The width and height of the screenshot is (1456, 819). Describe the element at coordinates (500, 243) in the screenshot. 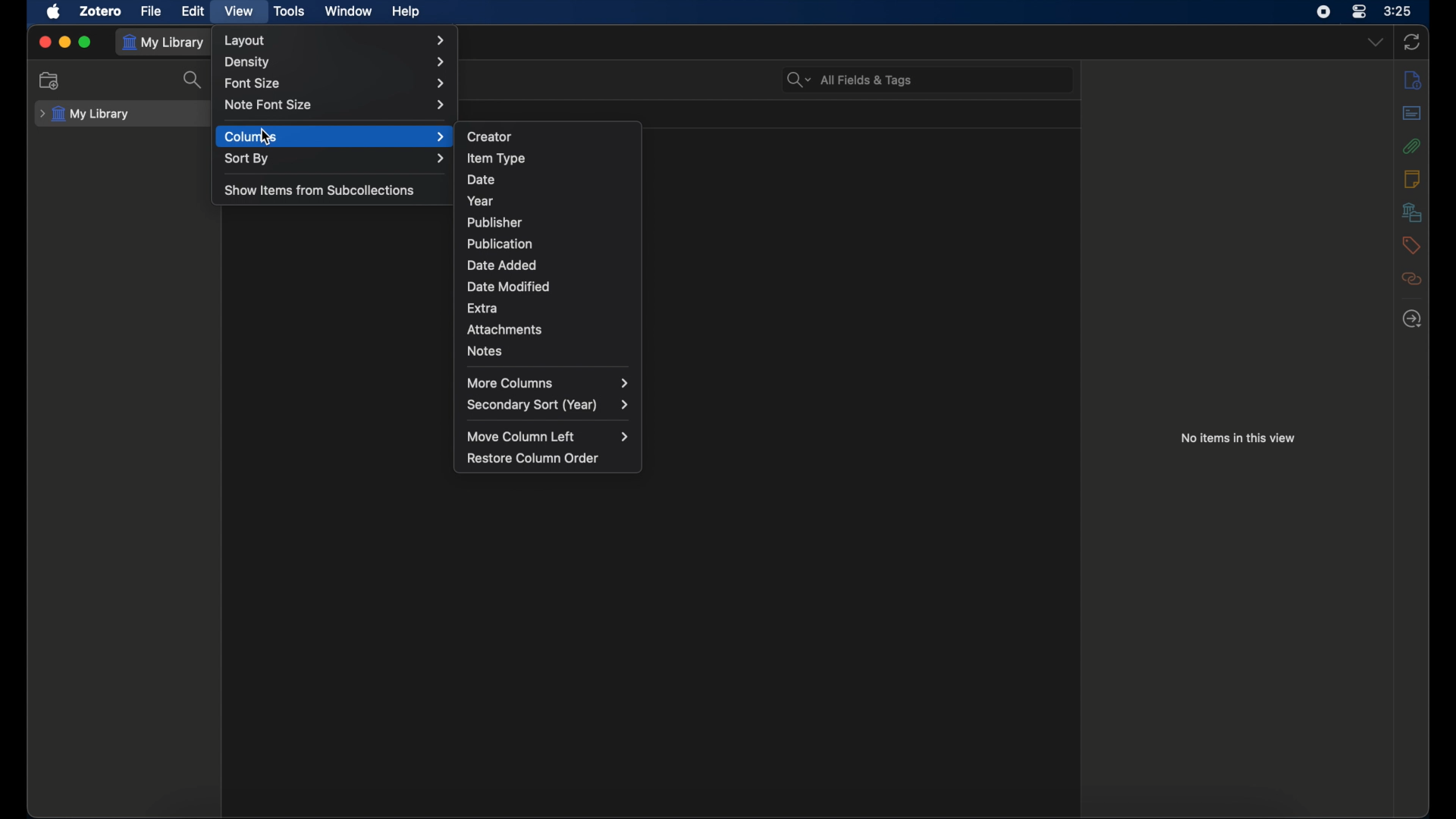

I see `publication` at that location.